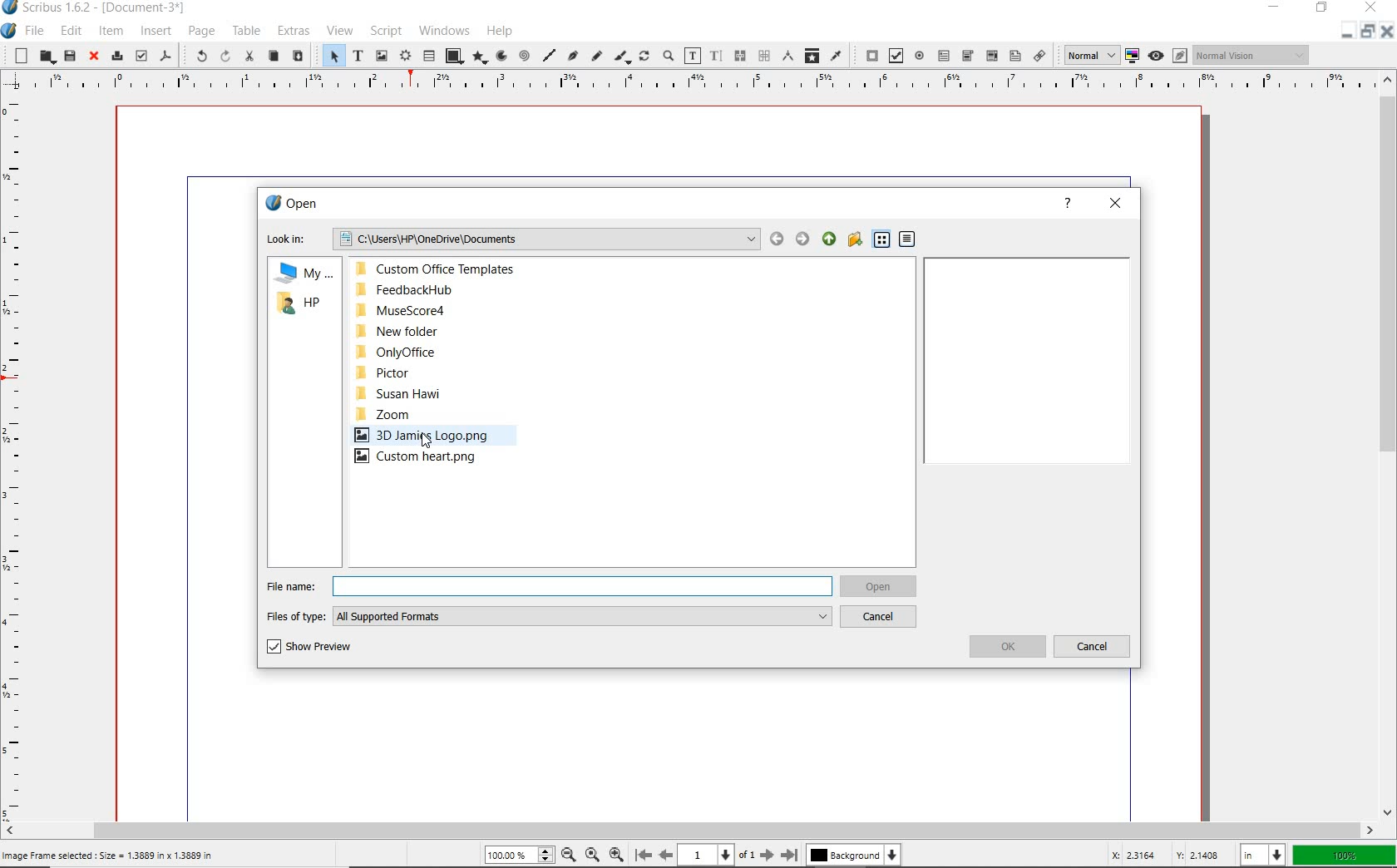  I want to click on HP, so click(303, 305).